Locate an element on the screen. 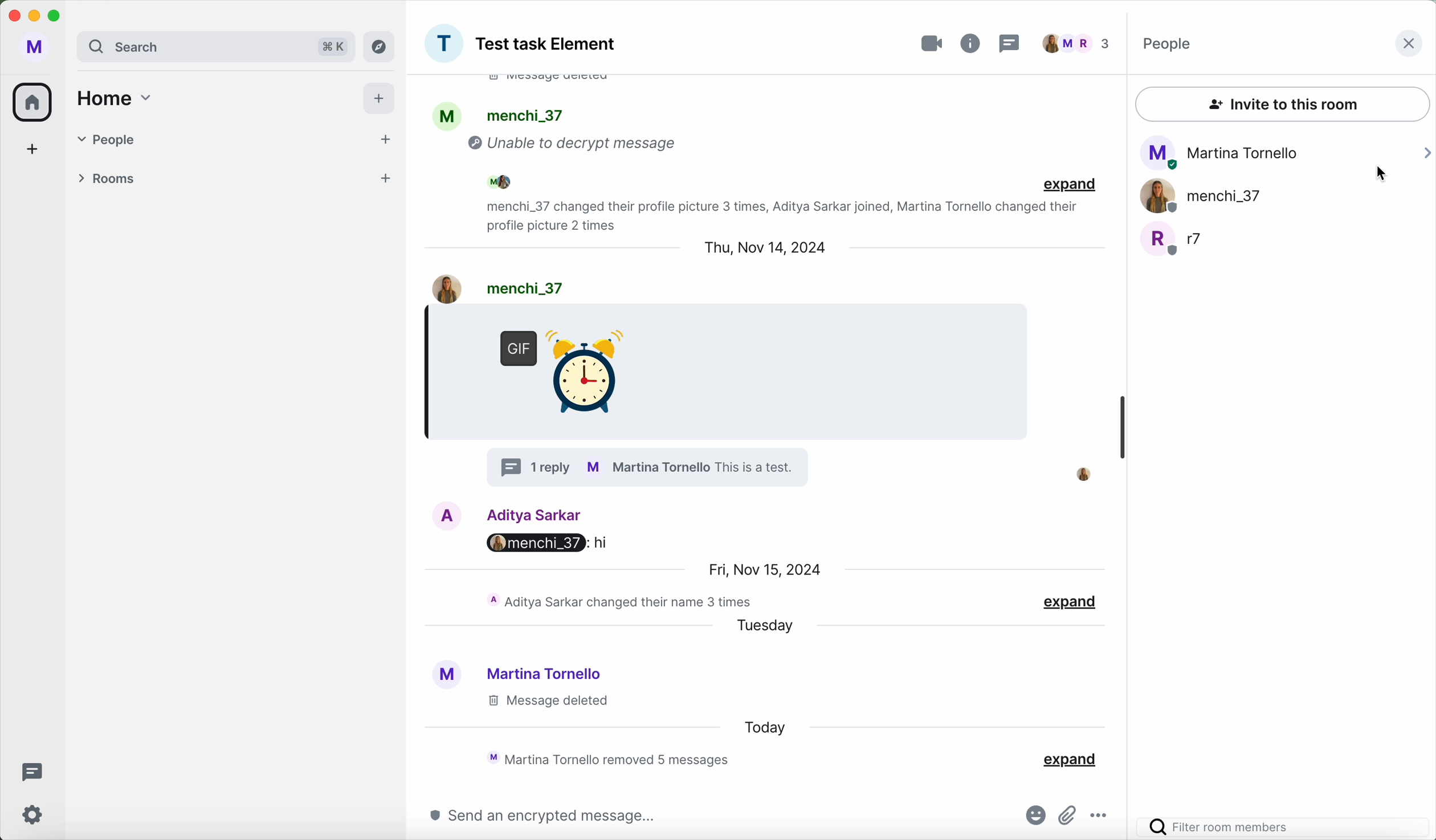 This screenshot has width=1436, height=840. invite to this room button is located at coordinates (1283, 105).